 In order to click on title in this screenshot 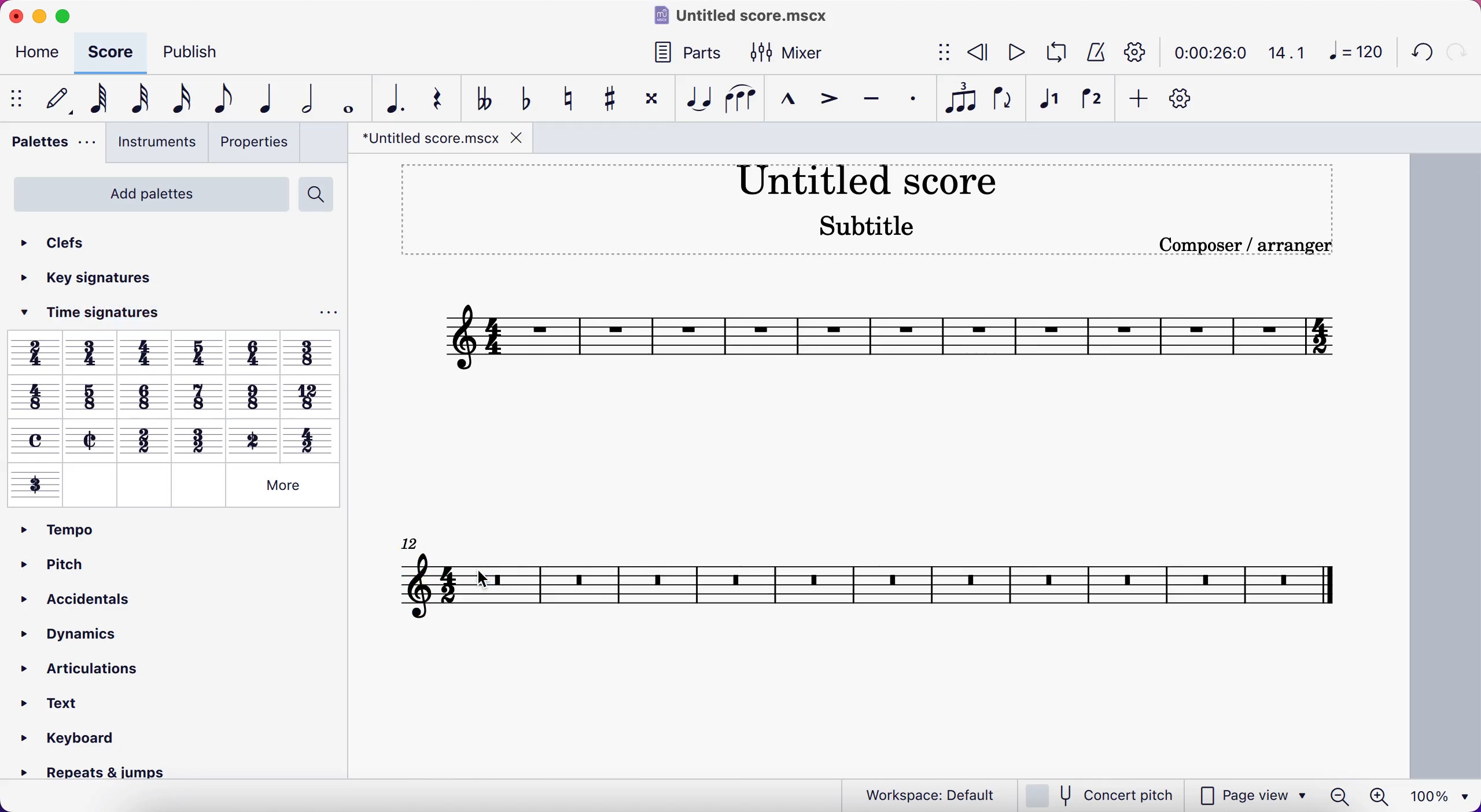, I will do `click(867, 179)`.